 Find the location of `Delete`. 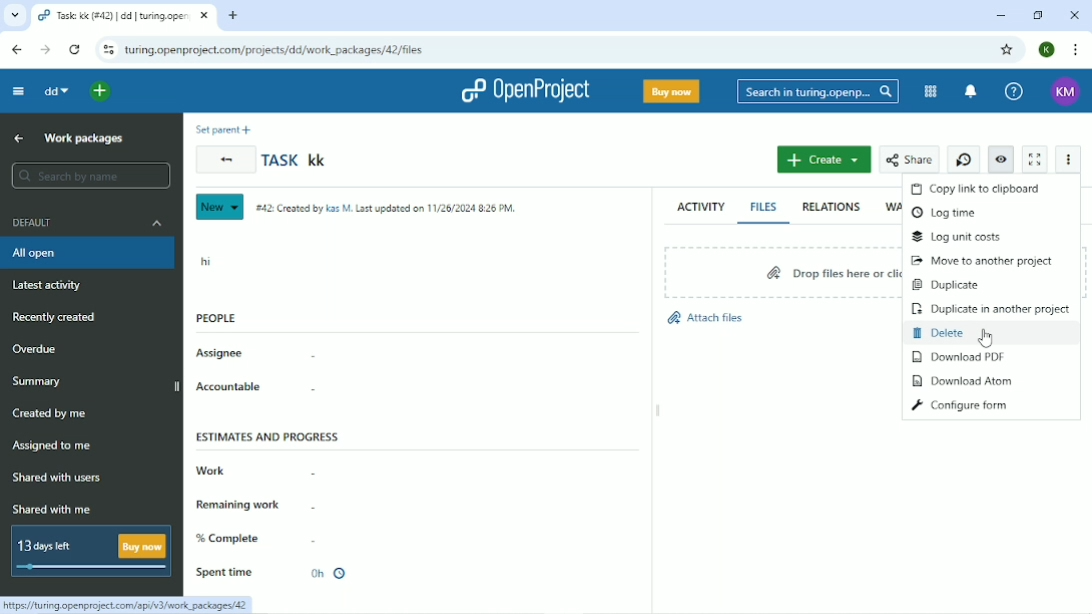

Delete is located at coordinates (937, 334).